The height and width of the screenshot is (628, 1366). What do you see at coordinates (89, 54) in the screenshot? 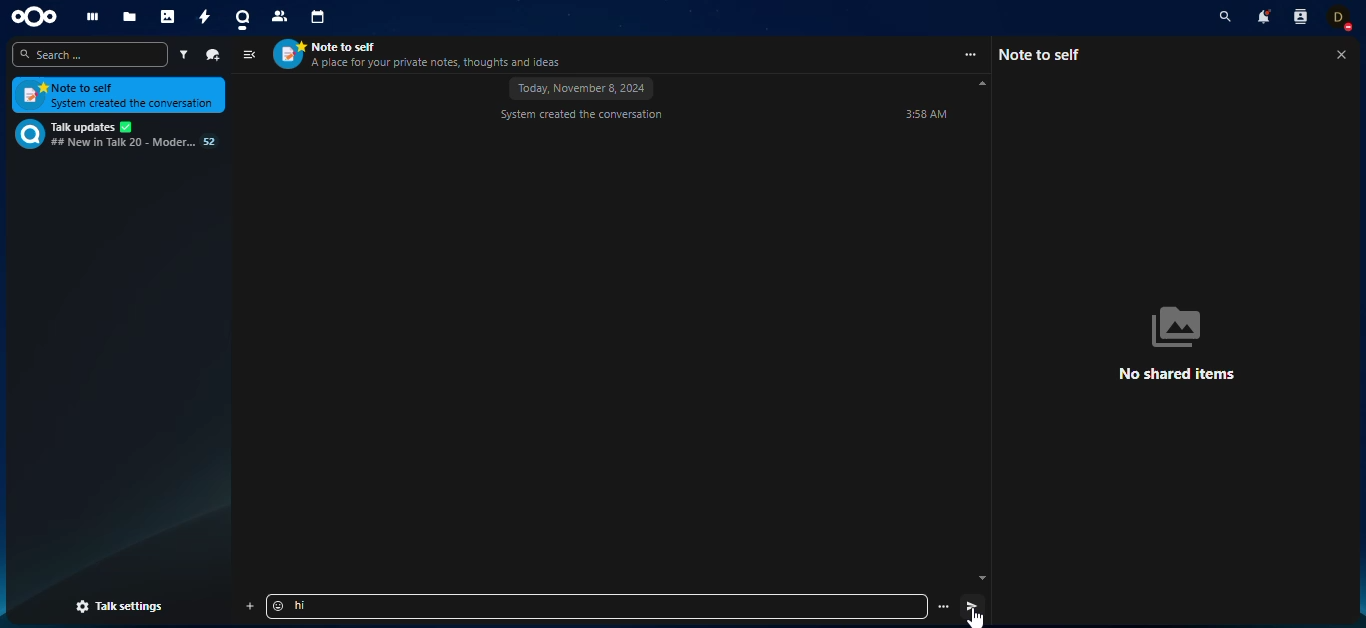
I see `search` at bounding box center [89, 54].